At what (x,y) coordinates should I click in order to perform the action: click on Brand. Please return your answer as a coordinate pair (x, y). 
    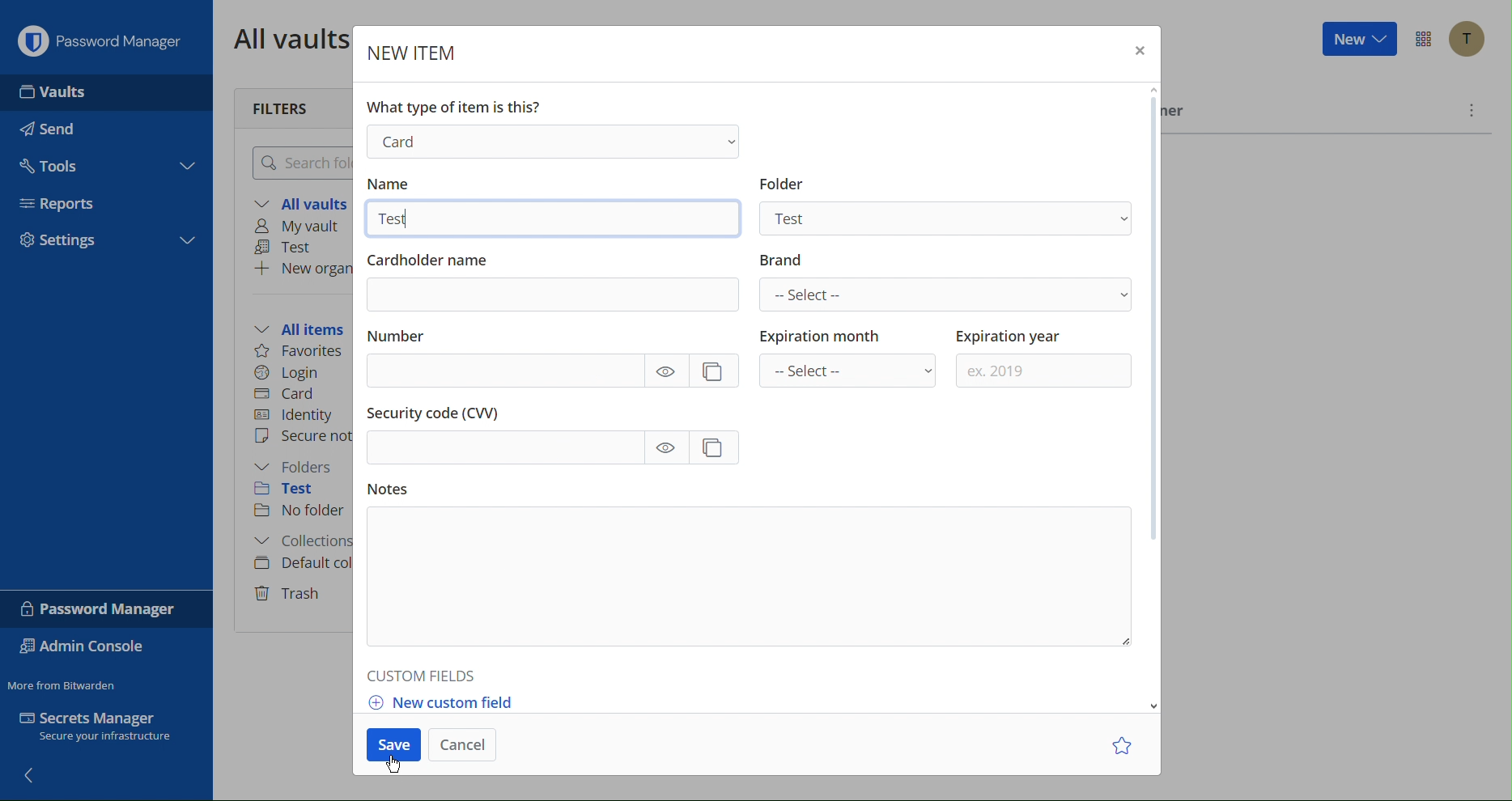
    Looking at the image, I should click on (945, 283).